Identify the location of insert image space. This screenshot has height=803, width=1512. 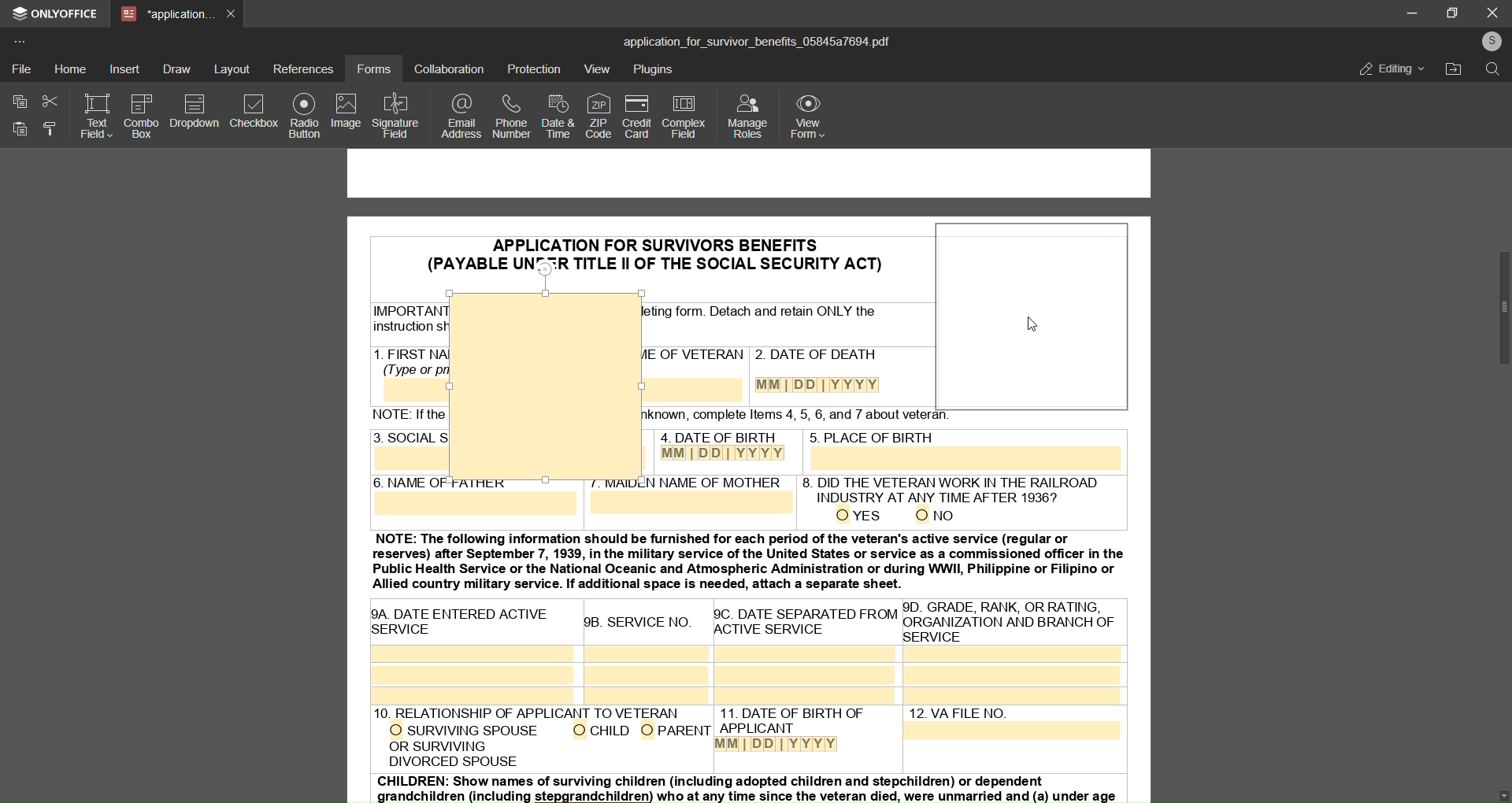
(543, 384).